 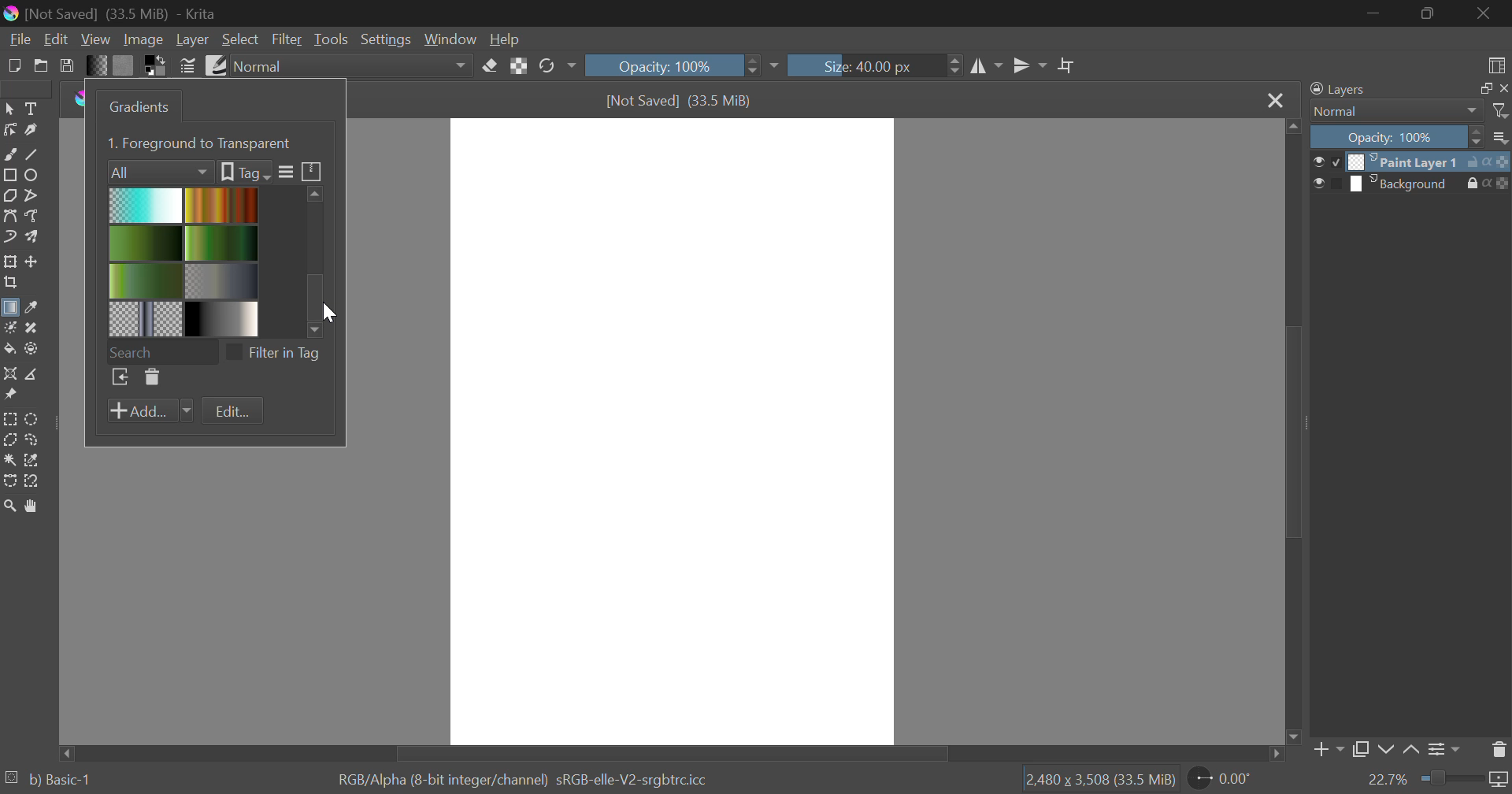 What do you see at coordinates (9, 397) in the screenshot?
I see `Reference Images` at bounding box center [9, 397].